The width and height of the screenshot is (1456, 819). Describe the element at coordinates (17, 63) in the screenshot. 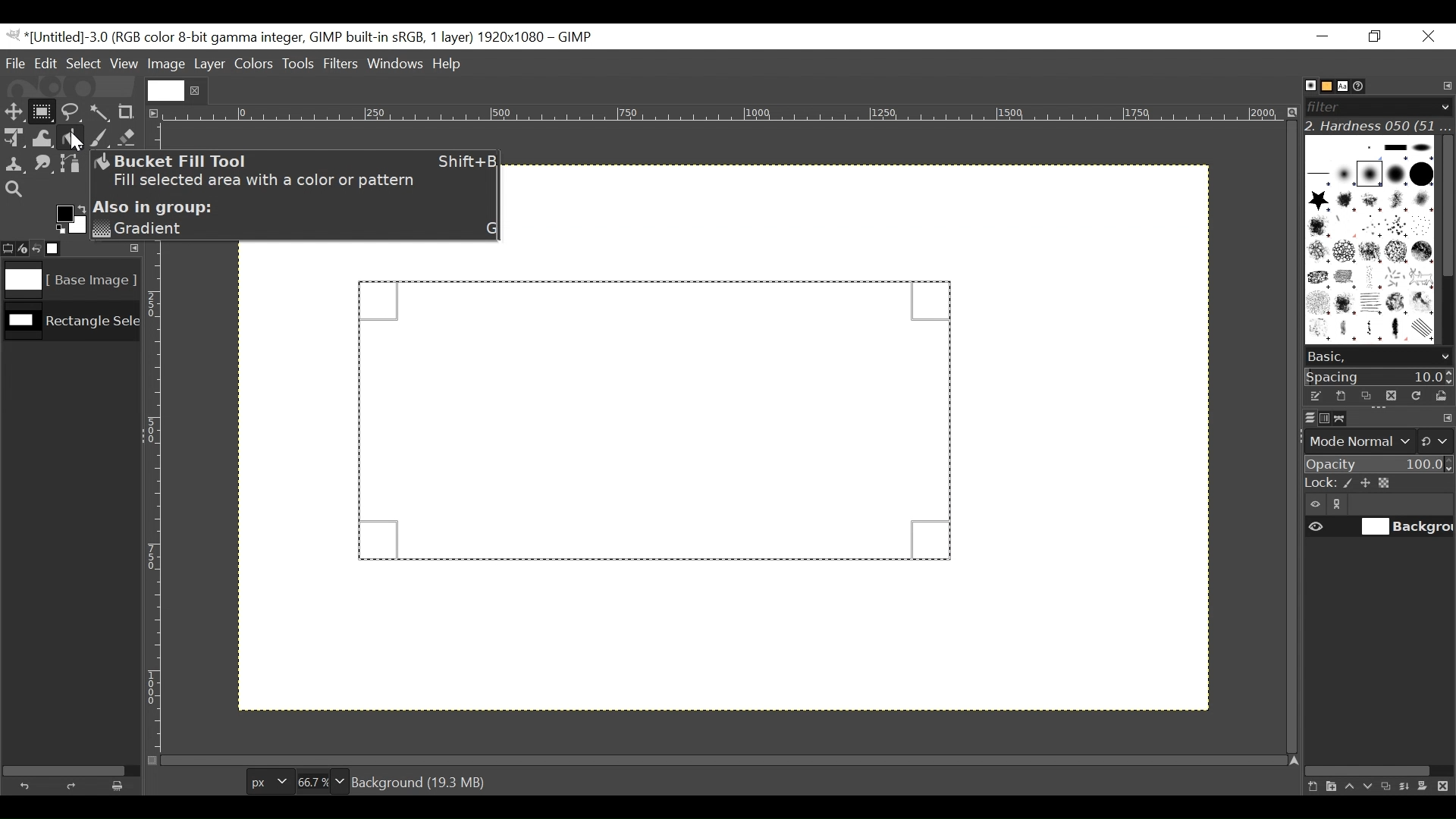

I see `File` at that location.